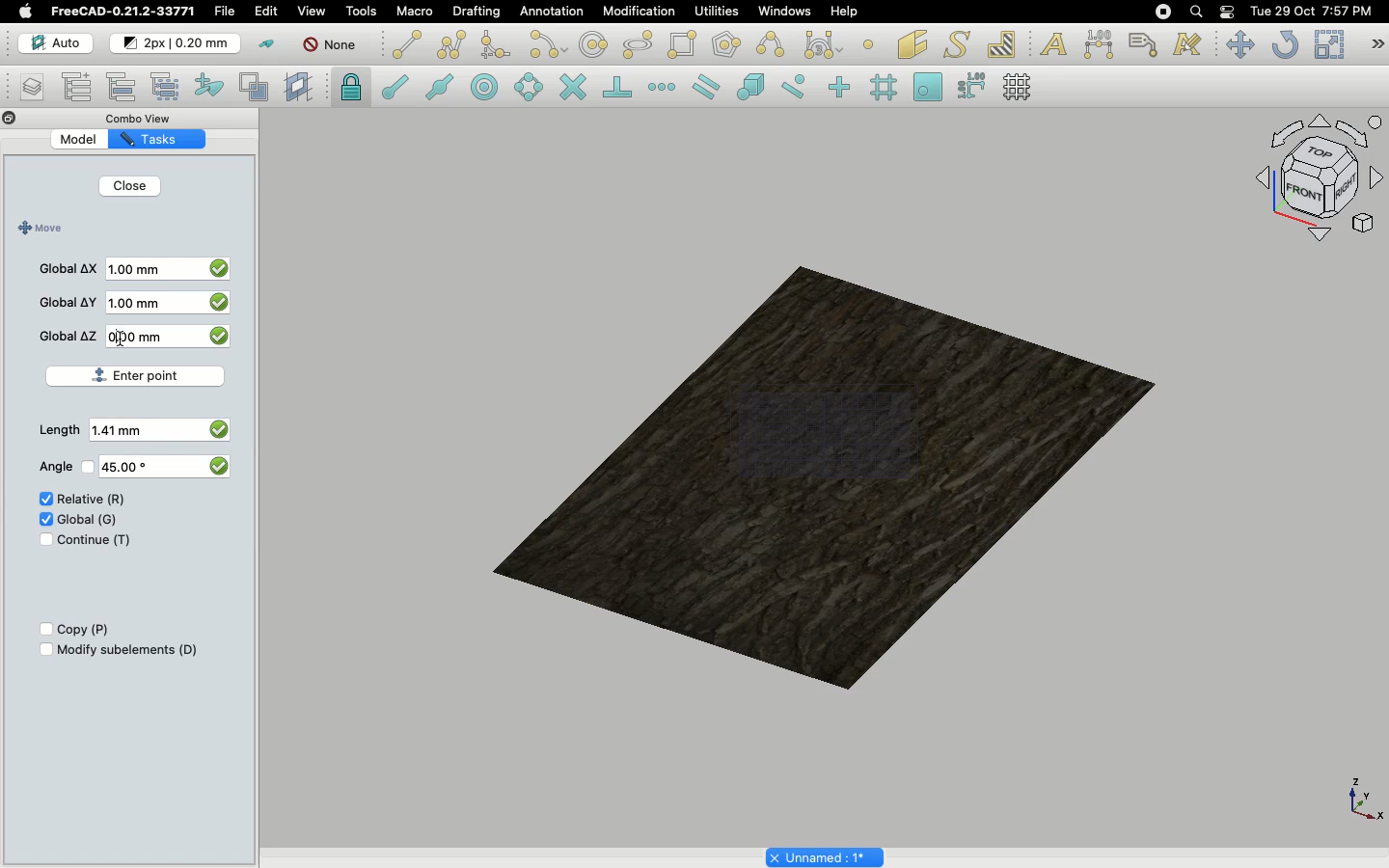 This screenshot has width=1389, height=868. Describe the element at coordinates (844, 11) in the screenshot. I see `Help` at that location.